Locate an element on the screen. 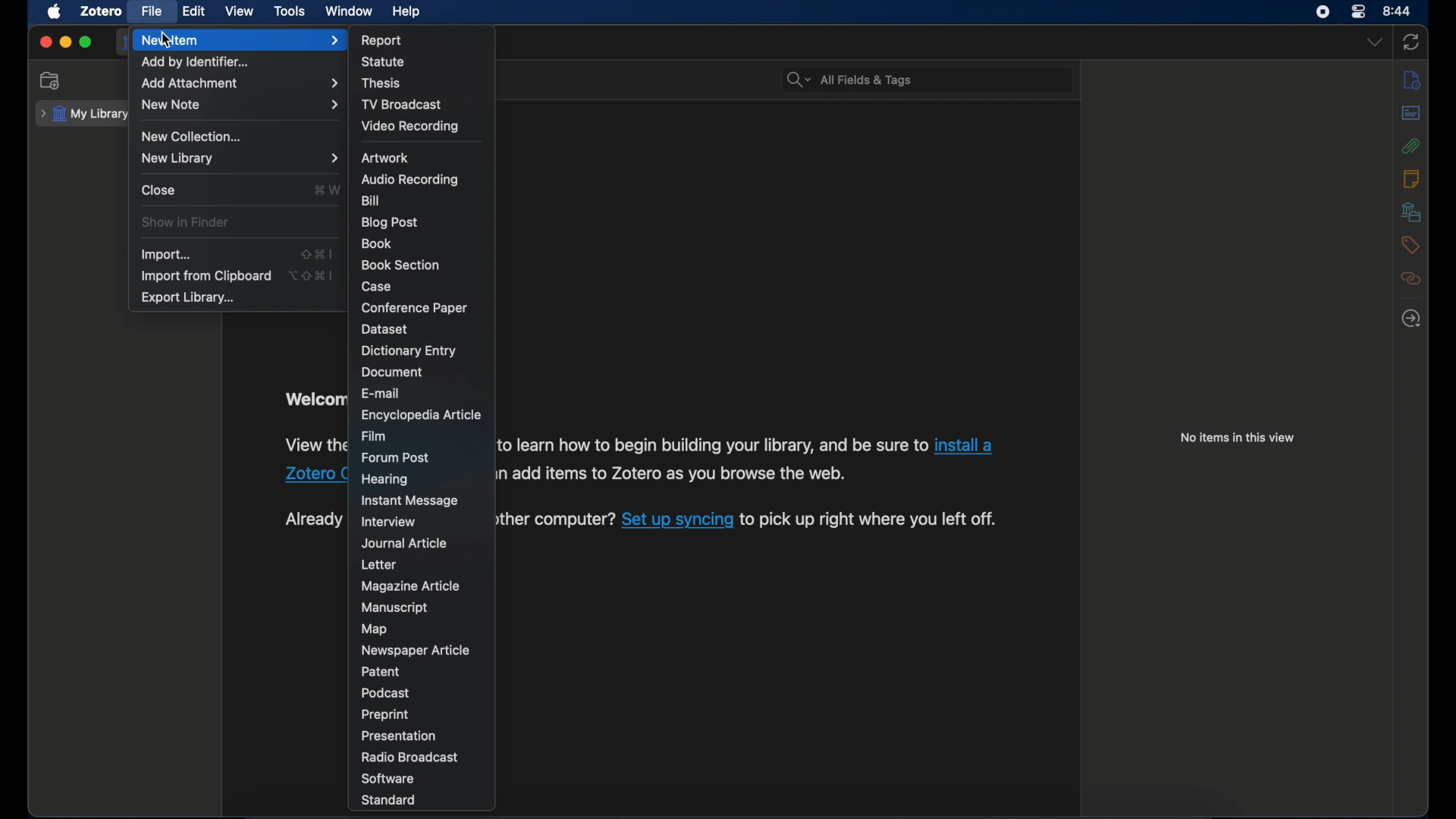 The image size is (1456, 819). patent is located at coordinates (383, 672).